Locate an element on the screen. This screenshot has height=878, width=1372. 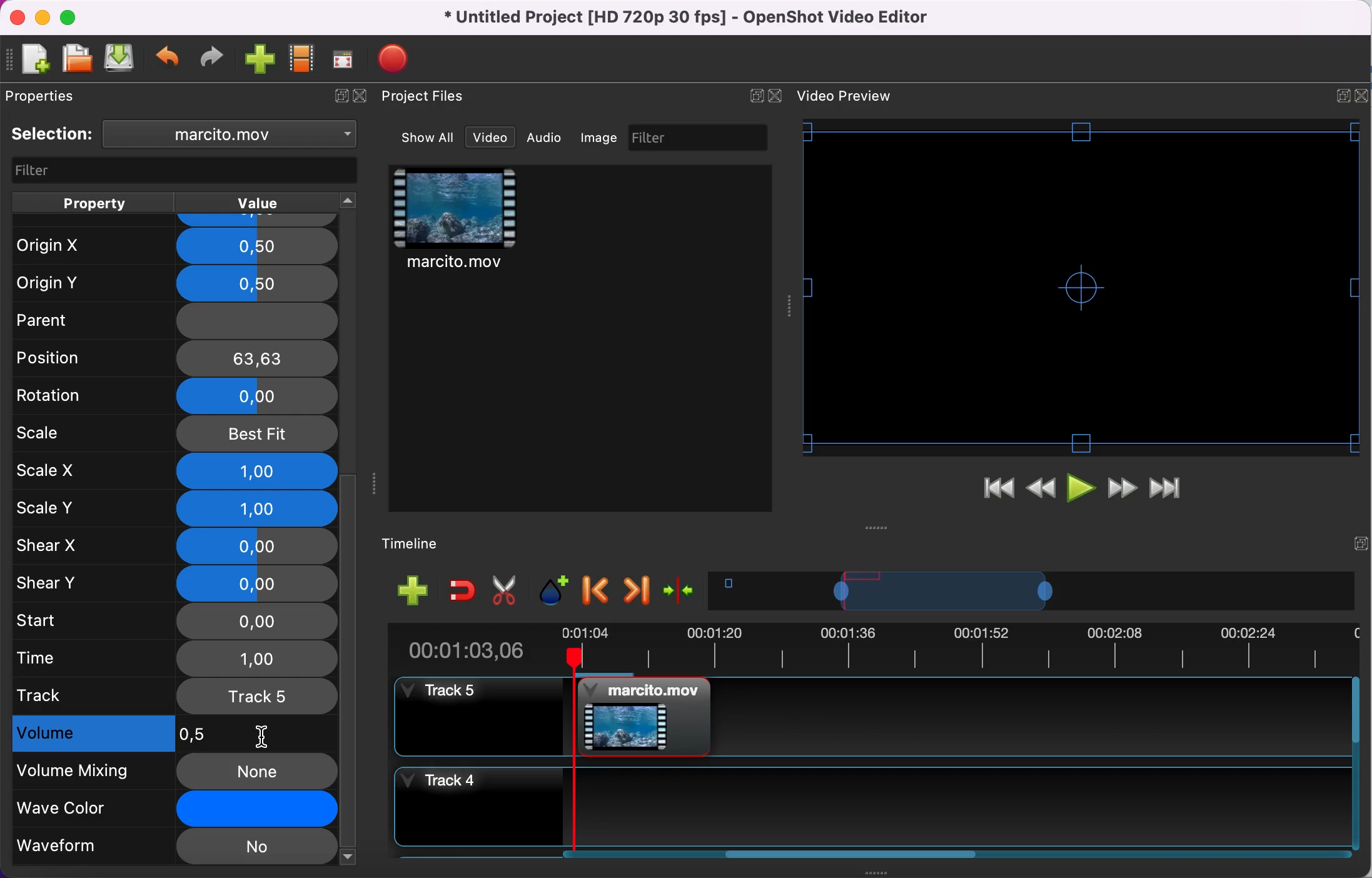
cursor is located at coordinates (261, 735).